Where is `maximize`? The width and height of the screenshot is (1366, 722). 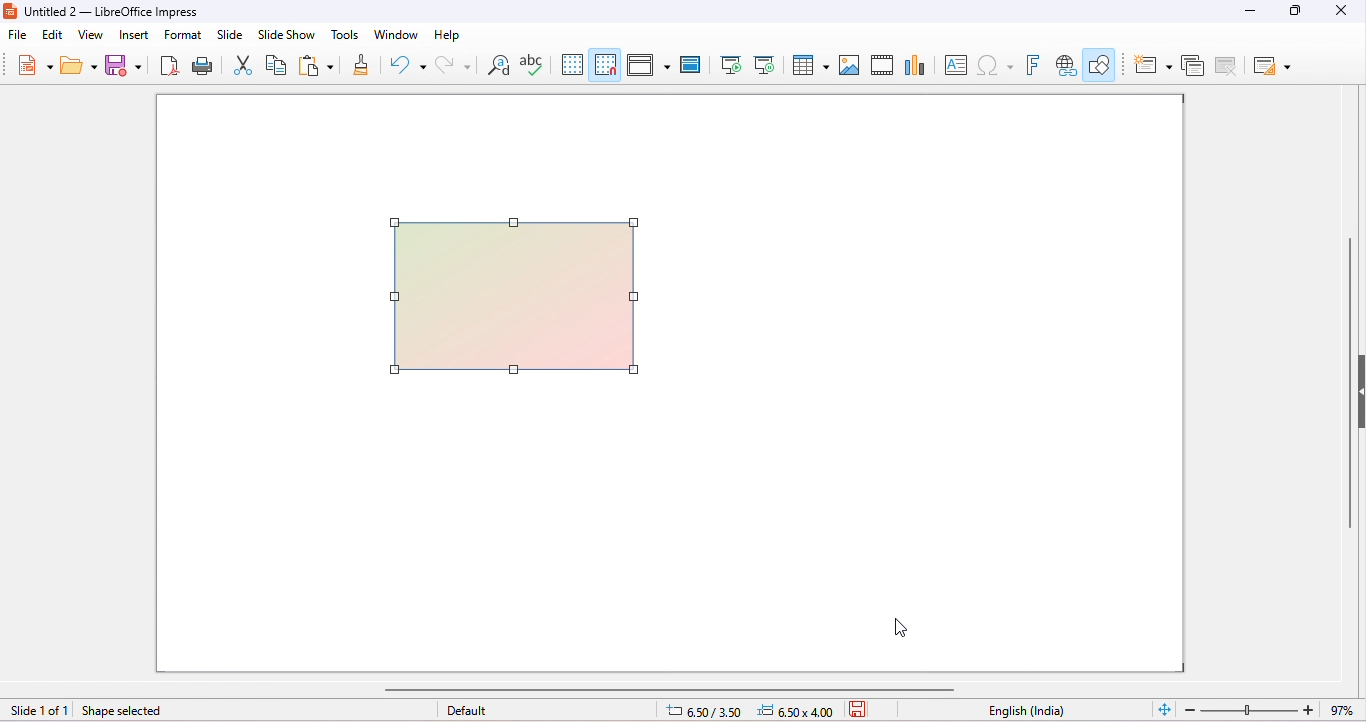
maximize is located at coordinates (1298, 11).